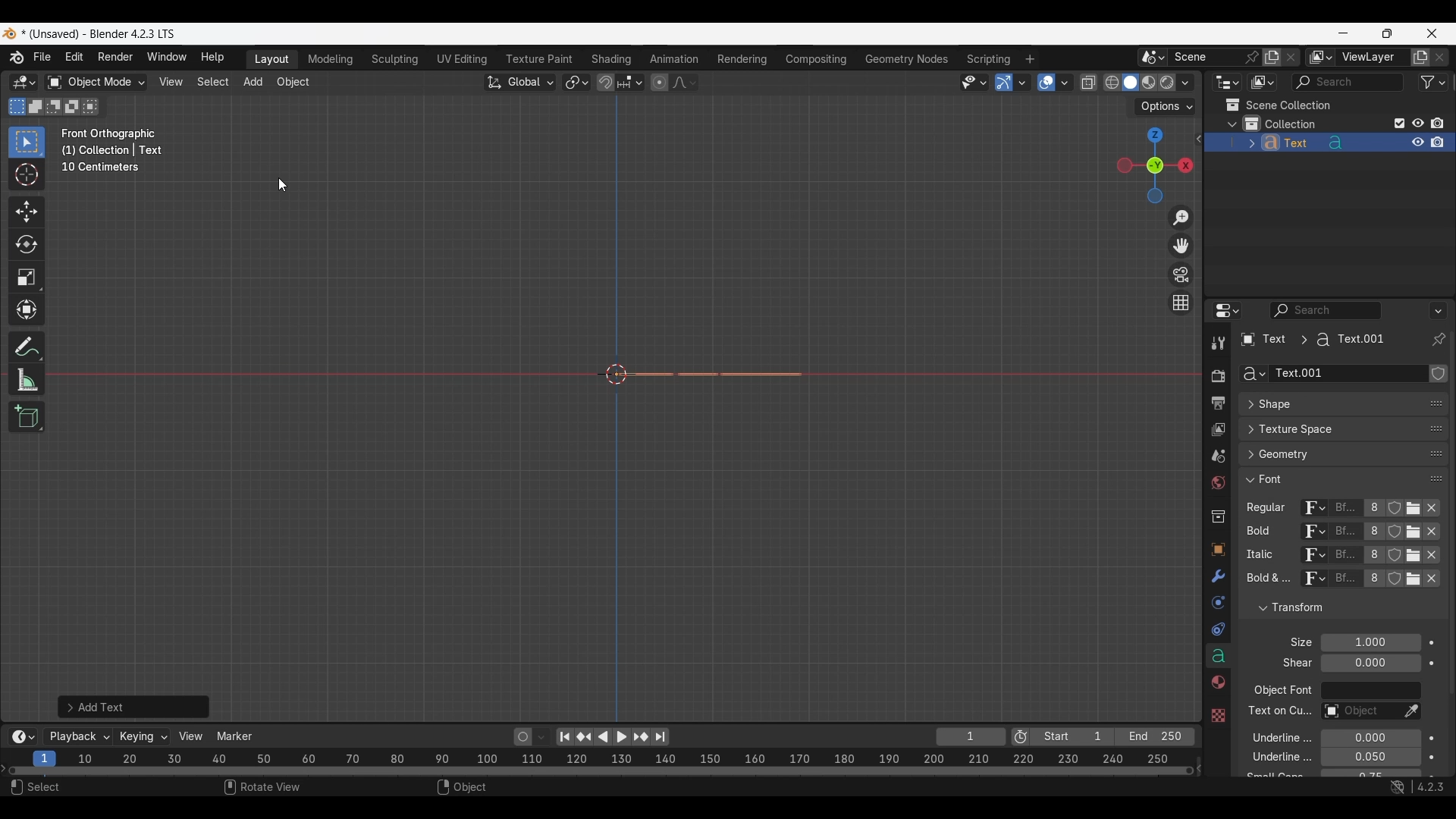  Describe the element at coordinates (1432, 708) in the screenshot. I see `Animate property of respective attribute` at that location.